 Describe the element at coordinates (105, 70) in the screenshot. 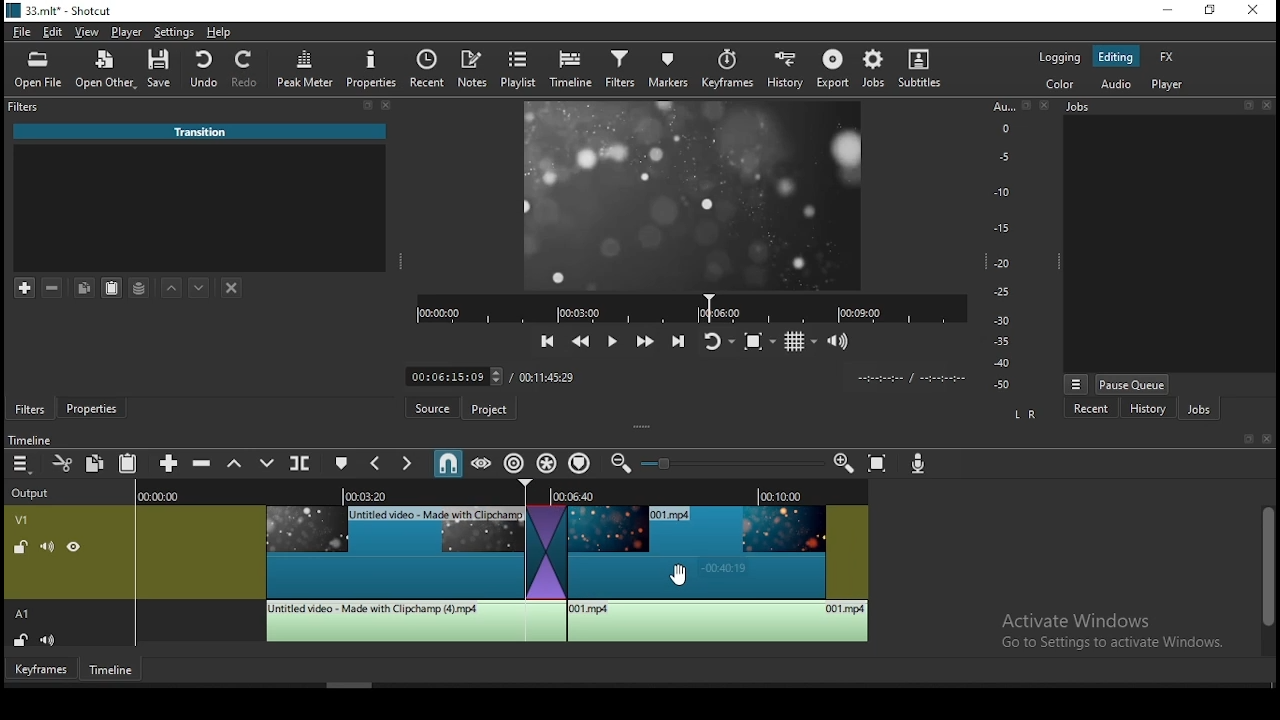

I see `open other` at that location.